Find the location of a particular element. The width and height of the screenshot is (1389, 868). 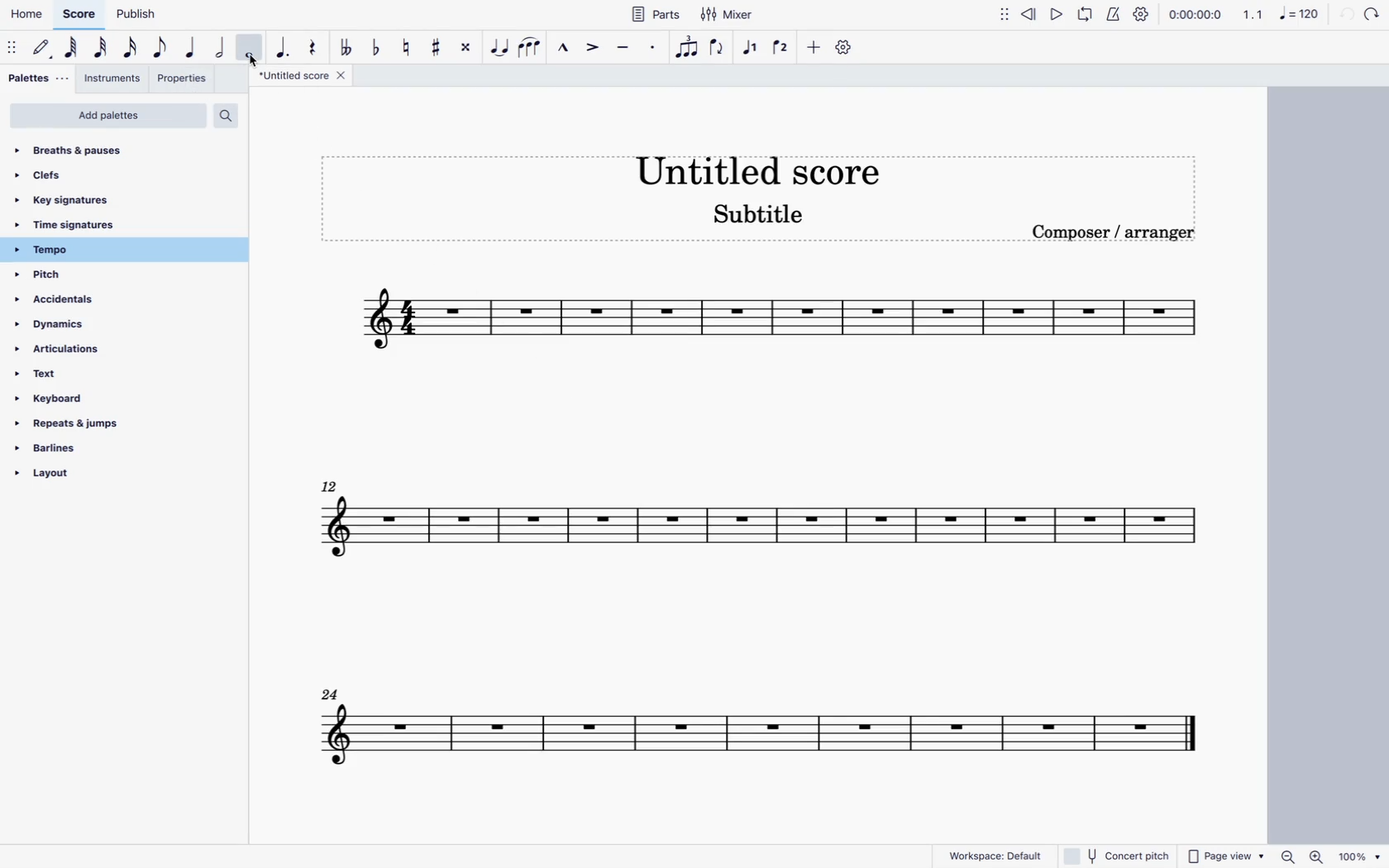

move is located at coordinates (1004, 16).